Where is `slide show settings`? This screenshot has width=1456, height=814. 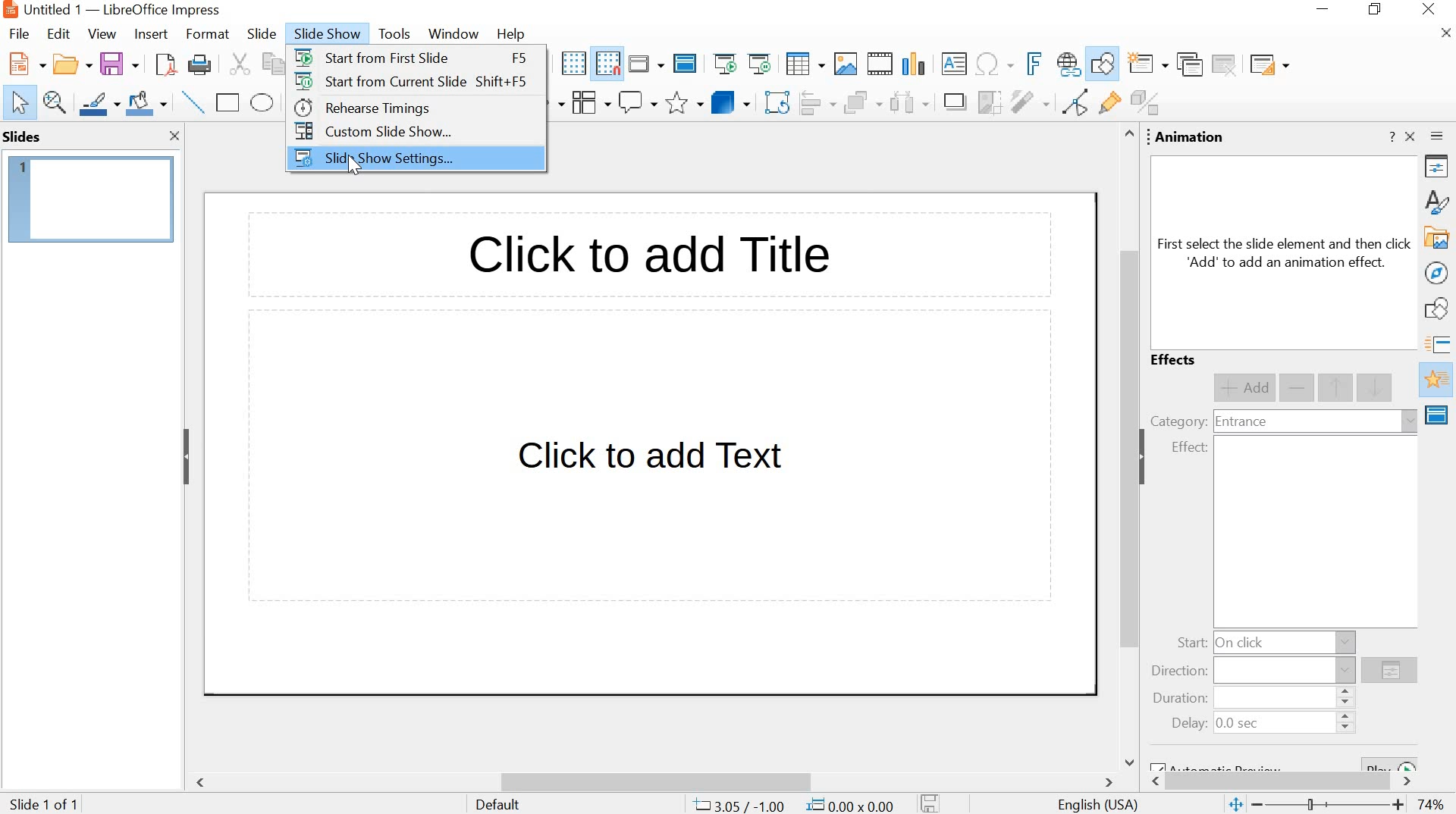
slide show settings is located at coordinates (371, 160).